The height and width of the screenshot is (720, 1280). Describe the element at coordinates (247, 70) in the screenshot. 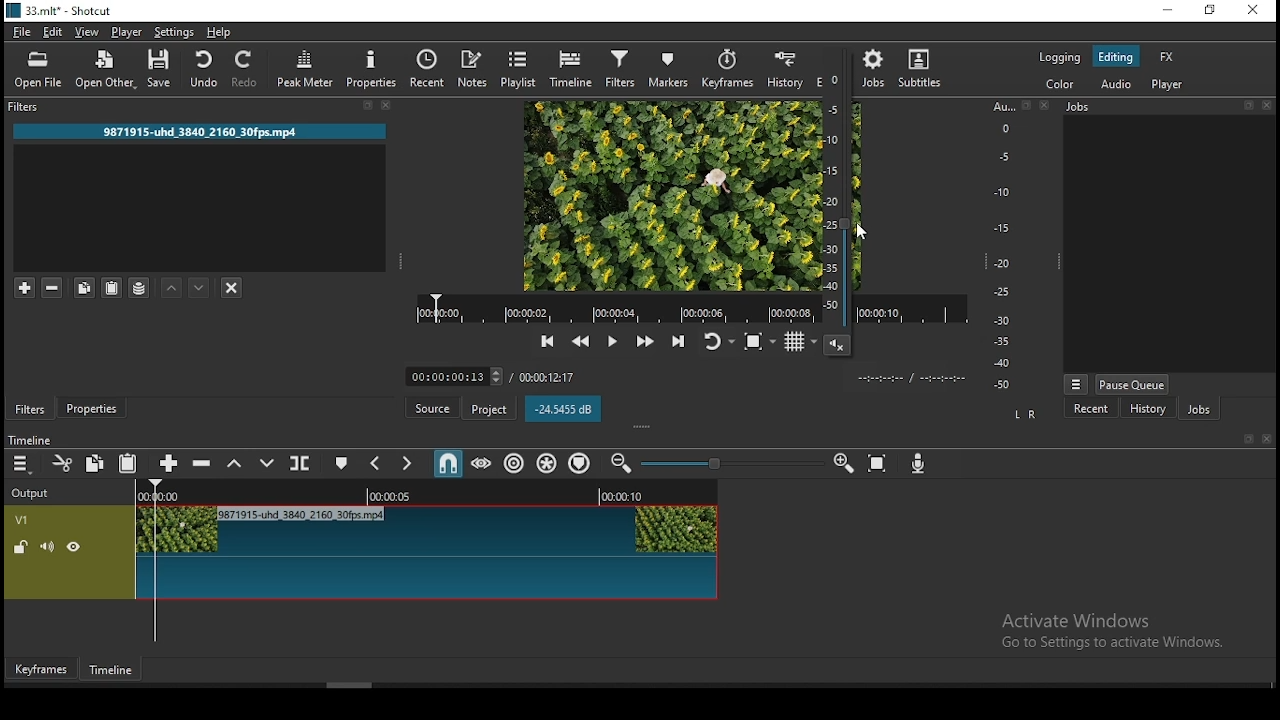

I see `redo` at that location.